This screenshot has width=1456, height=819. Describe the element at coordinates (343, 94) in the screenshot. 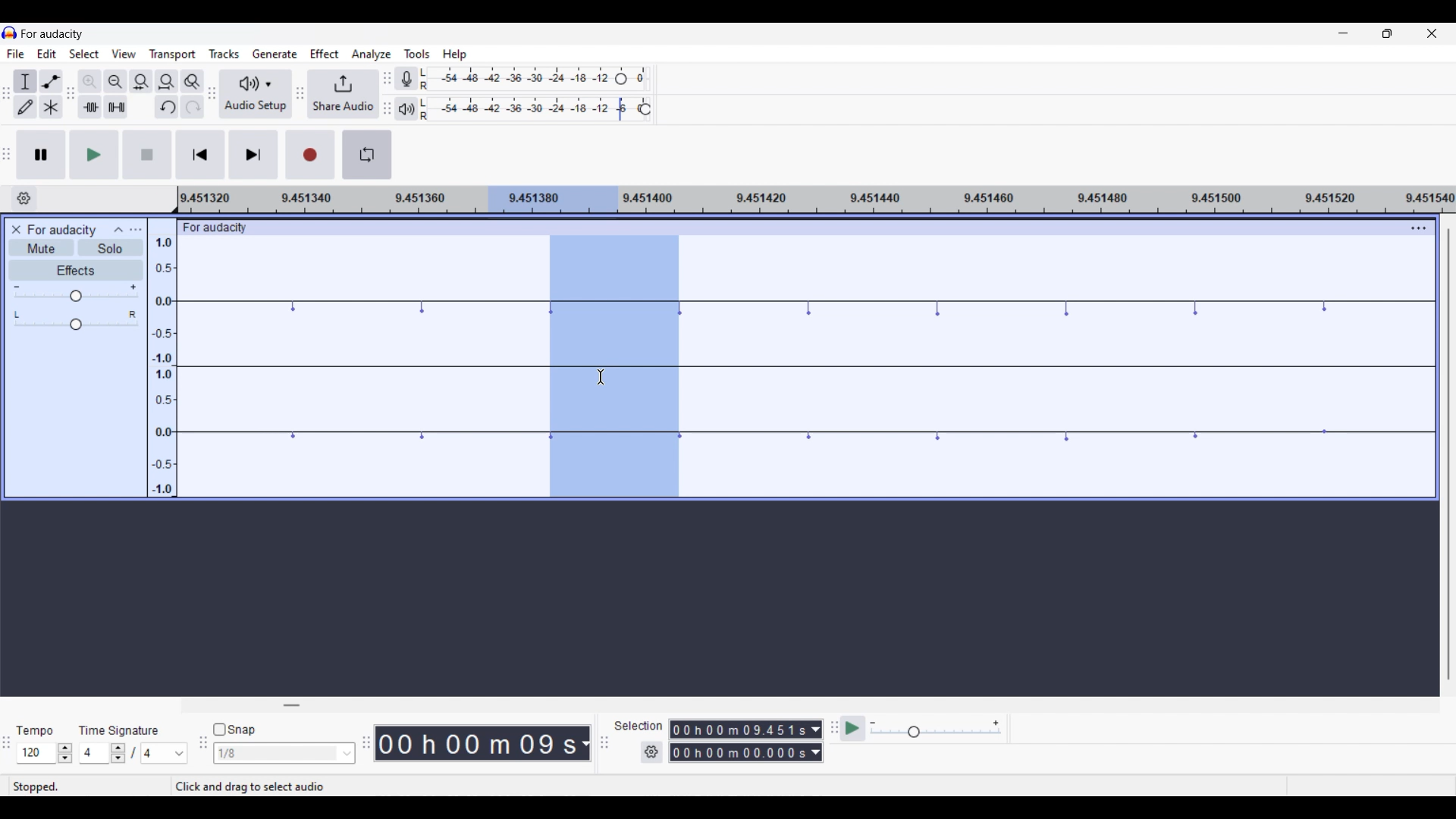

I see `Share audio` at that location.